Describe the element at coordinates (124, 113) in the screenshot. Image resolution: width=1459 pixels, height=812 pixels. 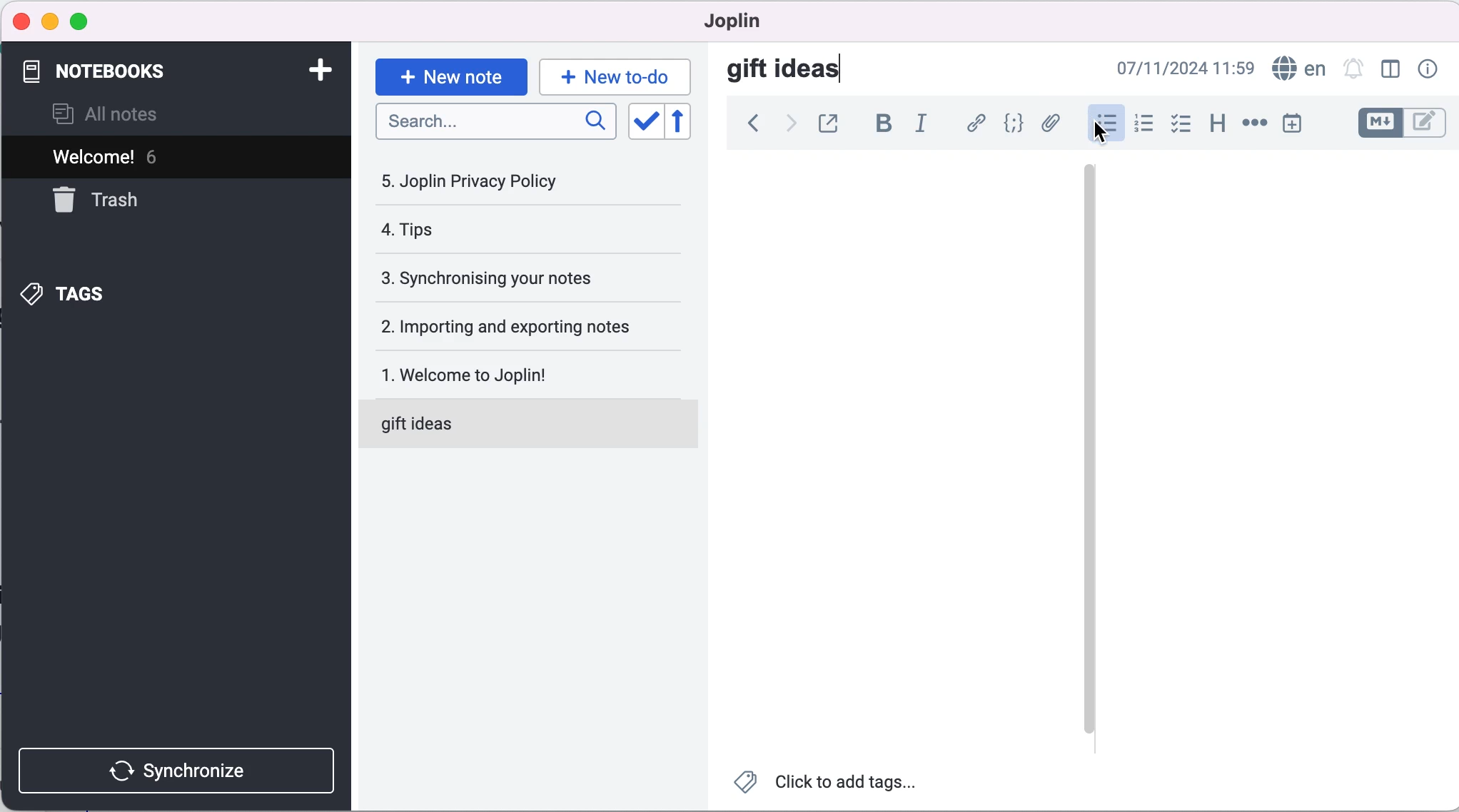
I see `all notes` at that location.